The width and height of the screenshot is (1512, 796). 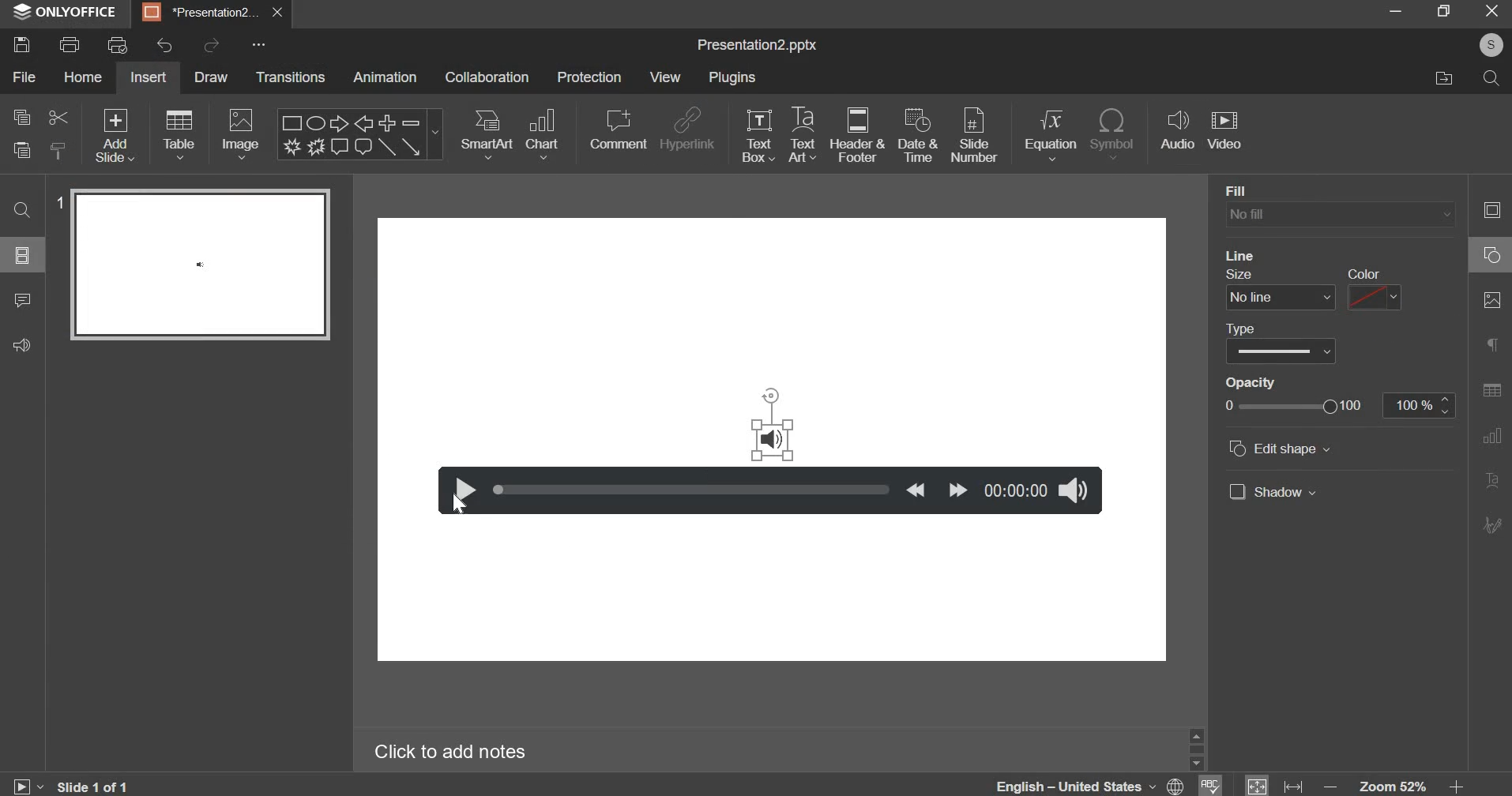 I want to click on line type, so click(x=1281, y=351).